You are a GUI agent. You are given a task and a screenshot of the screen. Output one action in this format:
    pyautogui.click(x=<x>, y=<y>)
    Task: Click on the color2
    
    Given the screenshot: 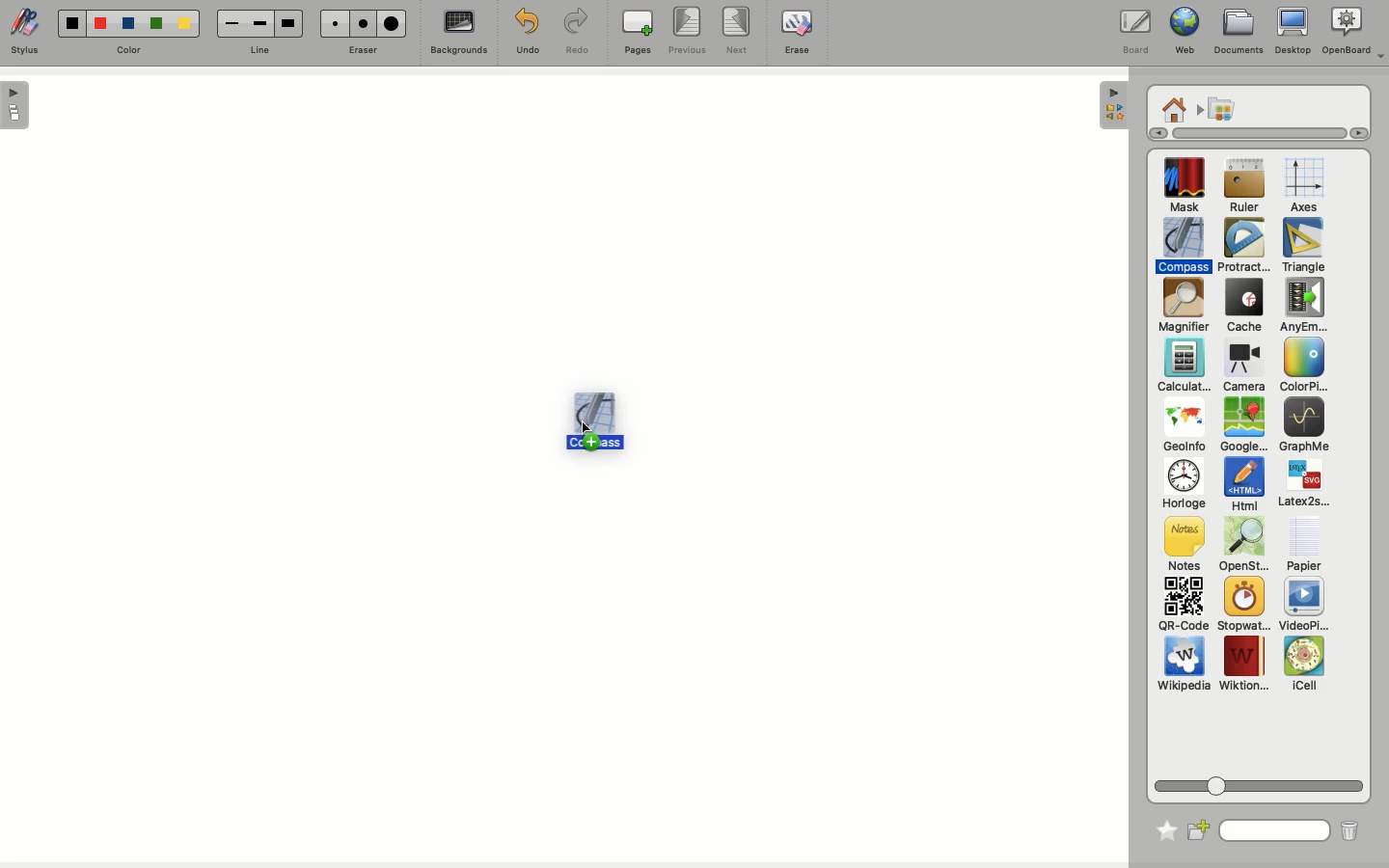 What is the action you would take?
    pyautogui.click(x=97, y=22)
    